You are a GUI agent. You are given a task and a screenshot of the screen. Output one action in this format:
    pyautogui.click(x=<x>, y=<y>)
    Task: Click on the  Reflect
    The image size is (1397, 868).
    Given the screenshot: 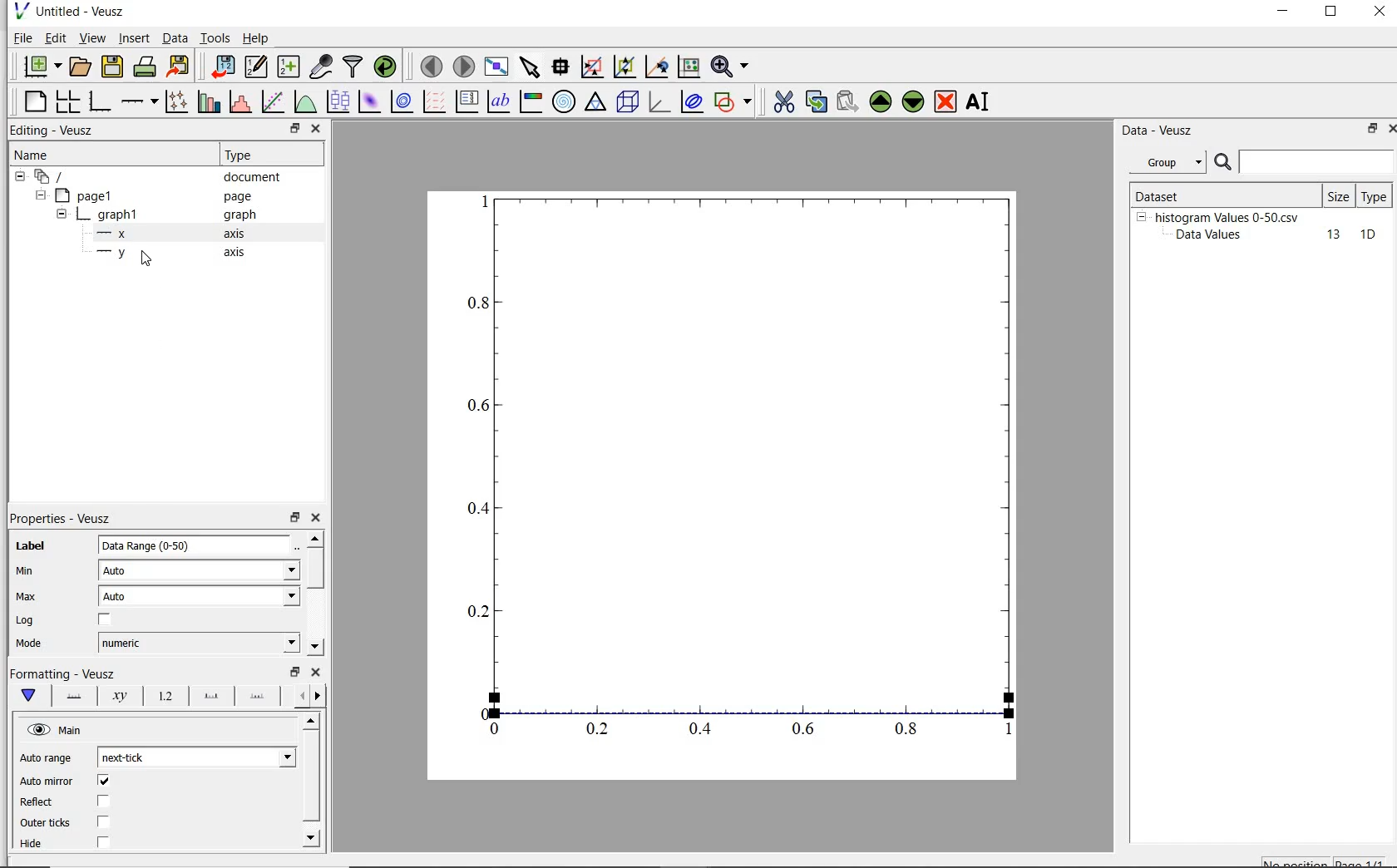 What is the action you would take?
    pyautogui.click(x=39, y=802)
    